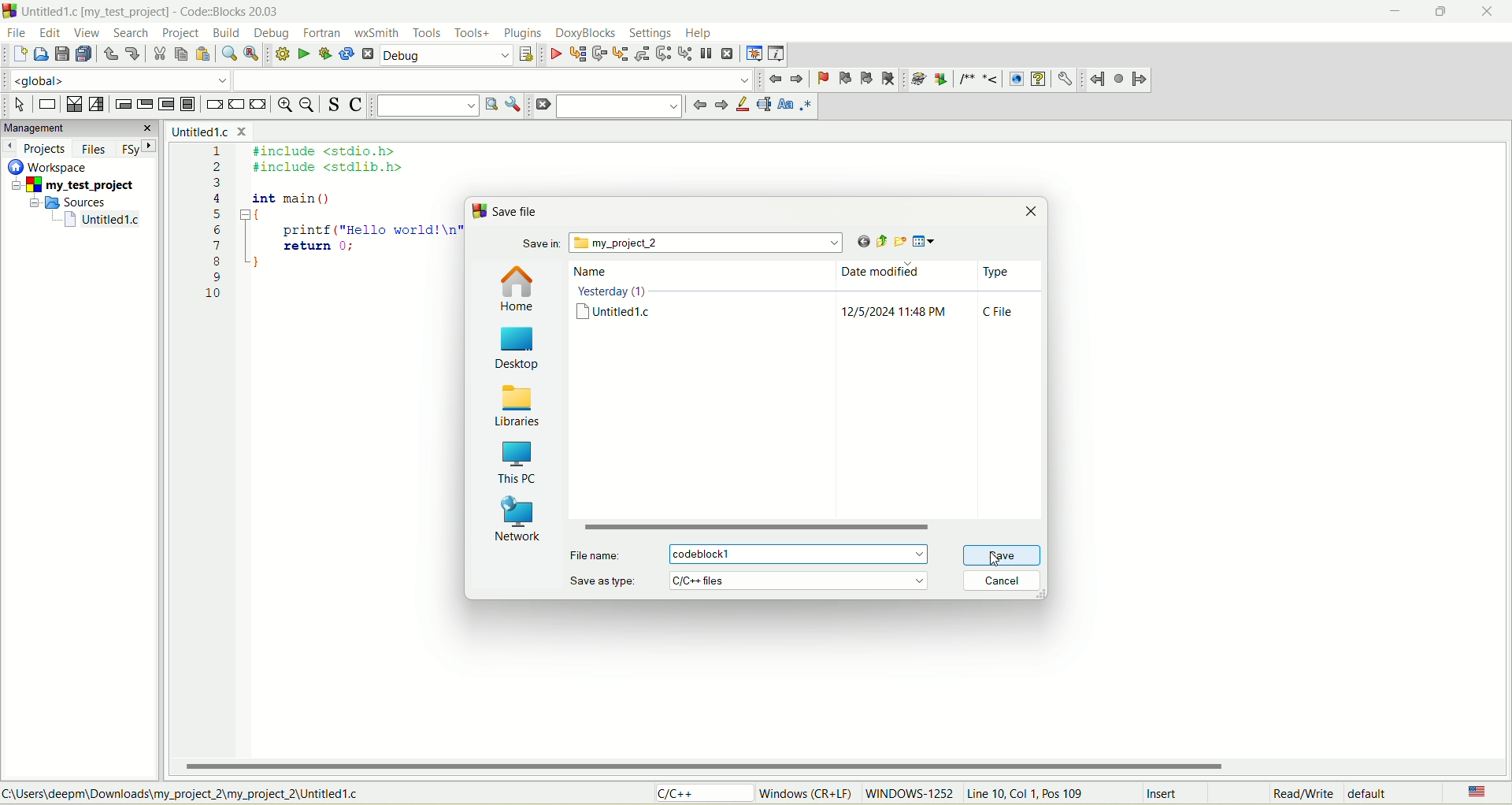 The height and width of the screenshot is (805, 1512). What do you see at coordinates (1436, 16) in the screenshot?
I see `maximize` at bounding box center [1436, 16].